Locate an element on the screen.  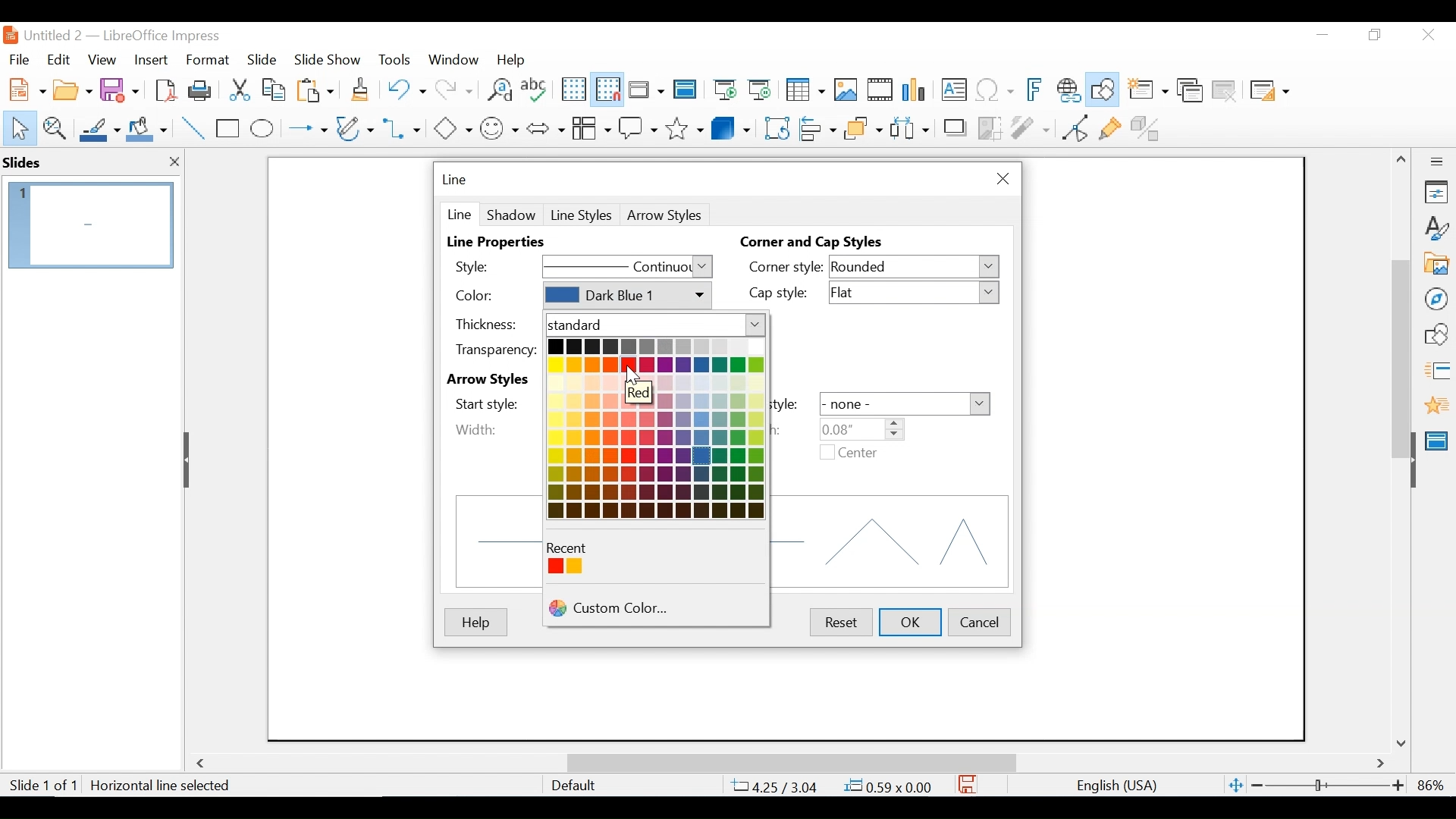
Crop Image is located at coordinates (990, 127).